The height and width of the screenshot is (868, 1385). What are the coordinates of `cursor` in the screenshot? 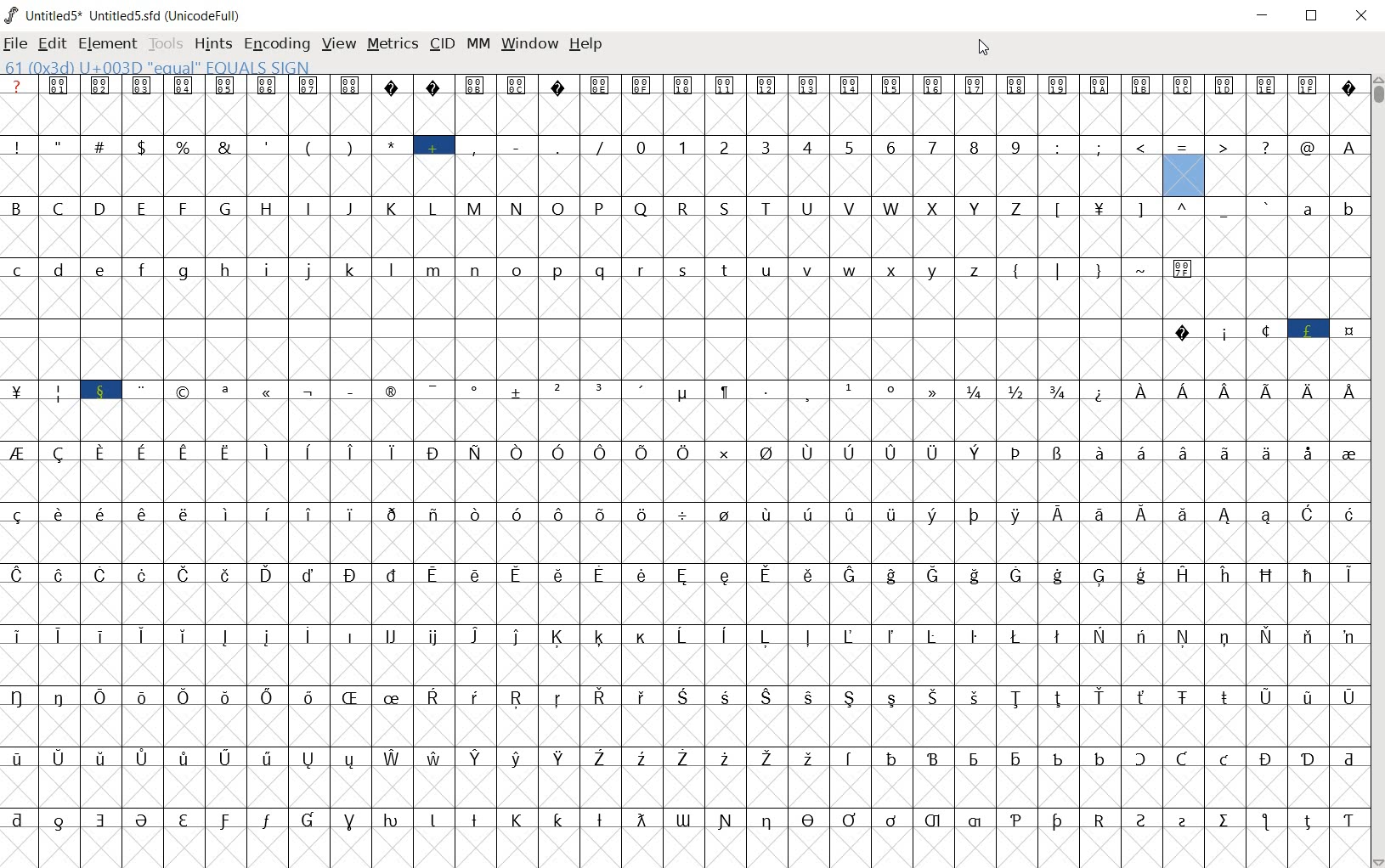 It's located at (983, 49).